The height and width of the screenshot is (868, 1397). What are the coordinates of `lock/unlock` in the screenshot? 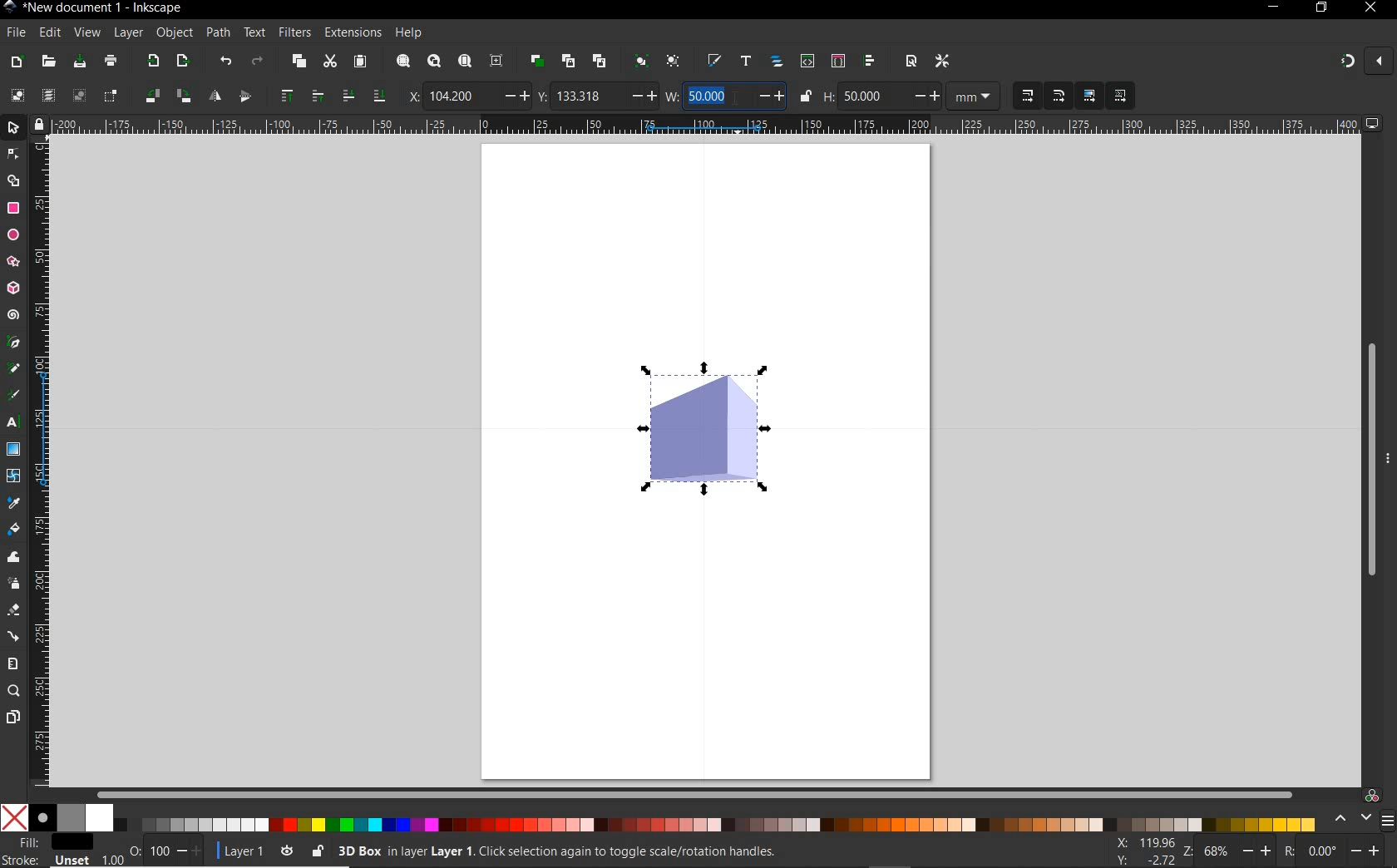 It's located at (806, 96).